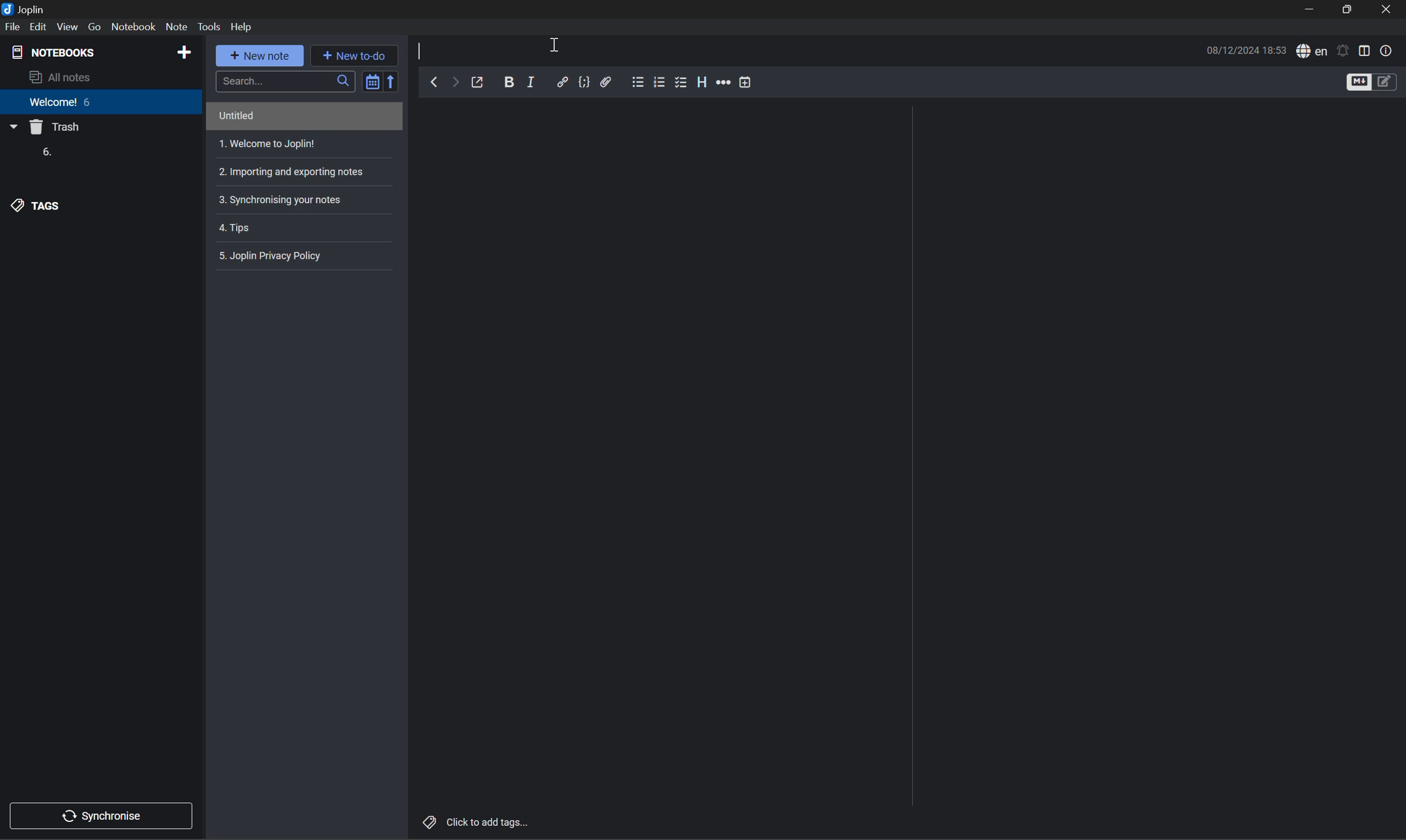 Image resolution: width=1406 pixels, height=840 pixels. What do you see at coordinates (62, 106) in the screenshot?
I see `Welcome 6` at bounding box center [62, 106].